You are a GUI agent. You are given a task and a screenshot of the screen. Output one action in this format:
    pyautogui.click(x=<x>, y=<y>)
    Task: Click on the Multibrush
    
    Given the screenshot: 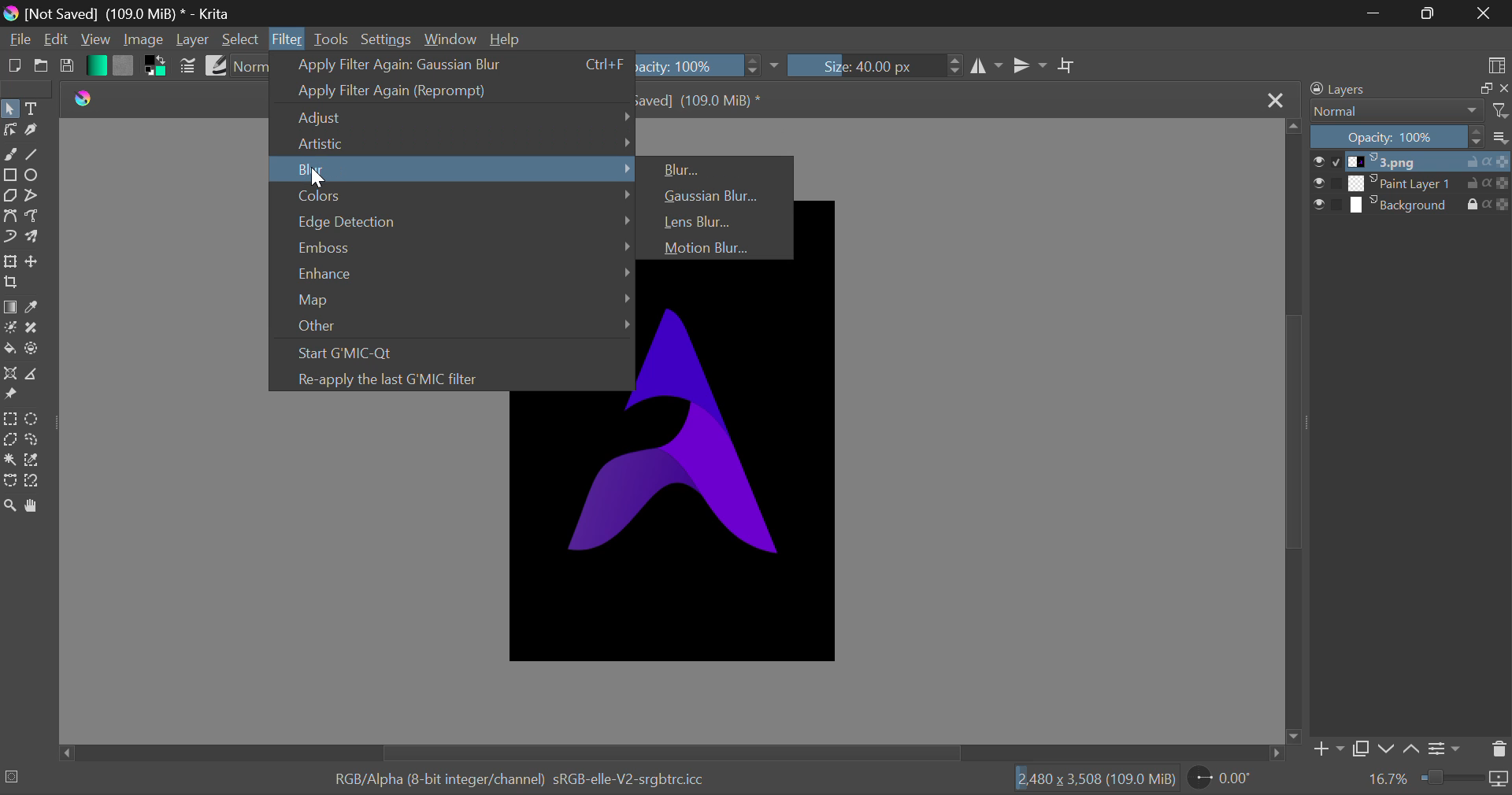 What is the action you would take?
    pyautogui.click(x=35, y=238)
    